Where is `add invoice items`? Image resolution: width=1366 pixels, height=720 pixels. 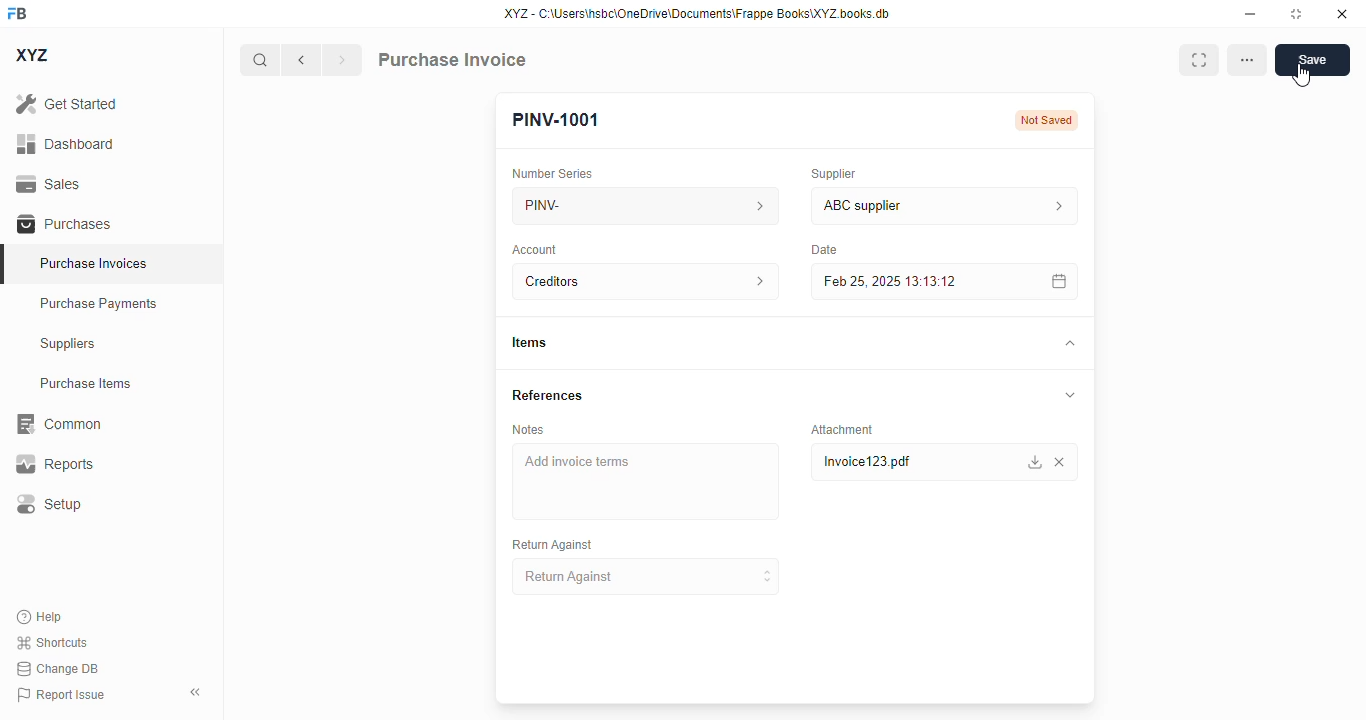 add invoice items is located at coordinates (644, 481).